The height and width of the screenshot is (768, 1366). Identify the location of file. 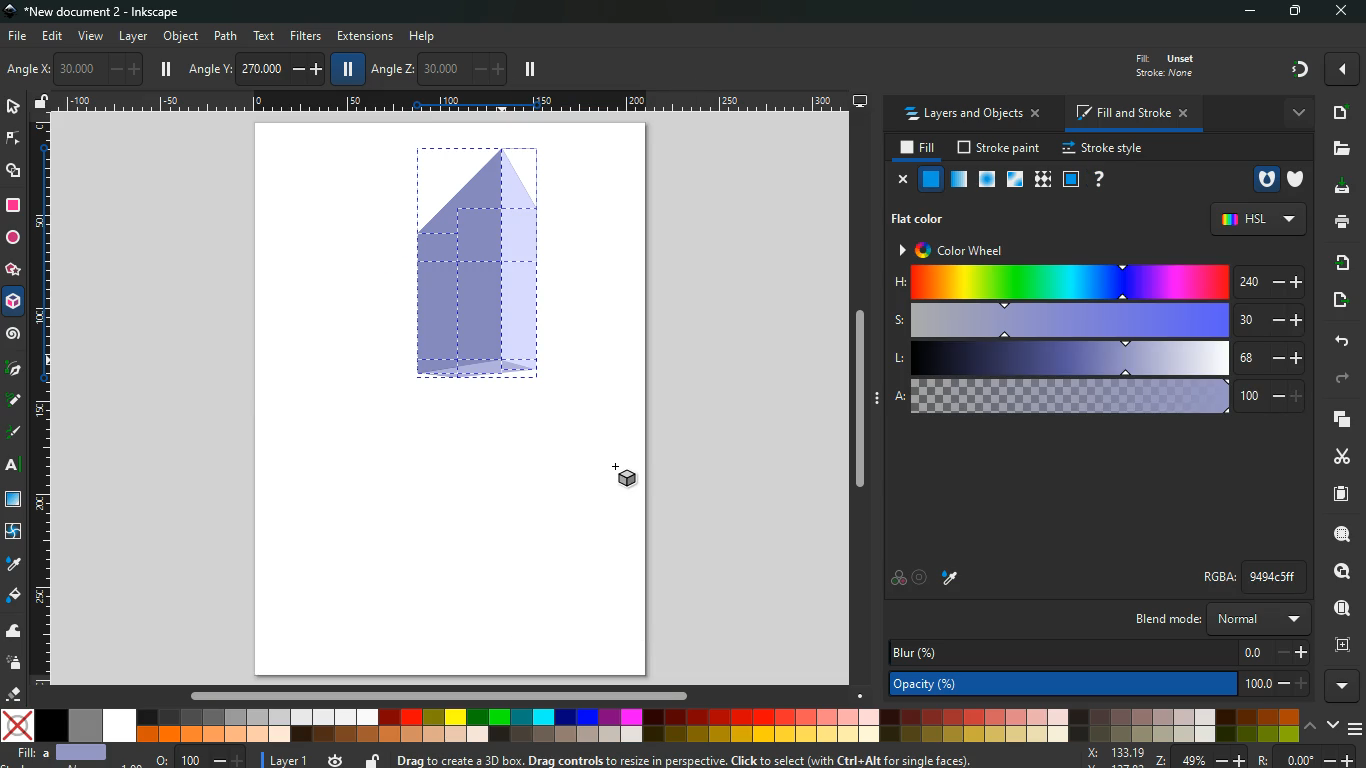
(16, 37).